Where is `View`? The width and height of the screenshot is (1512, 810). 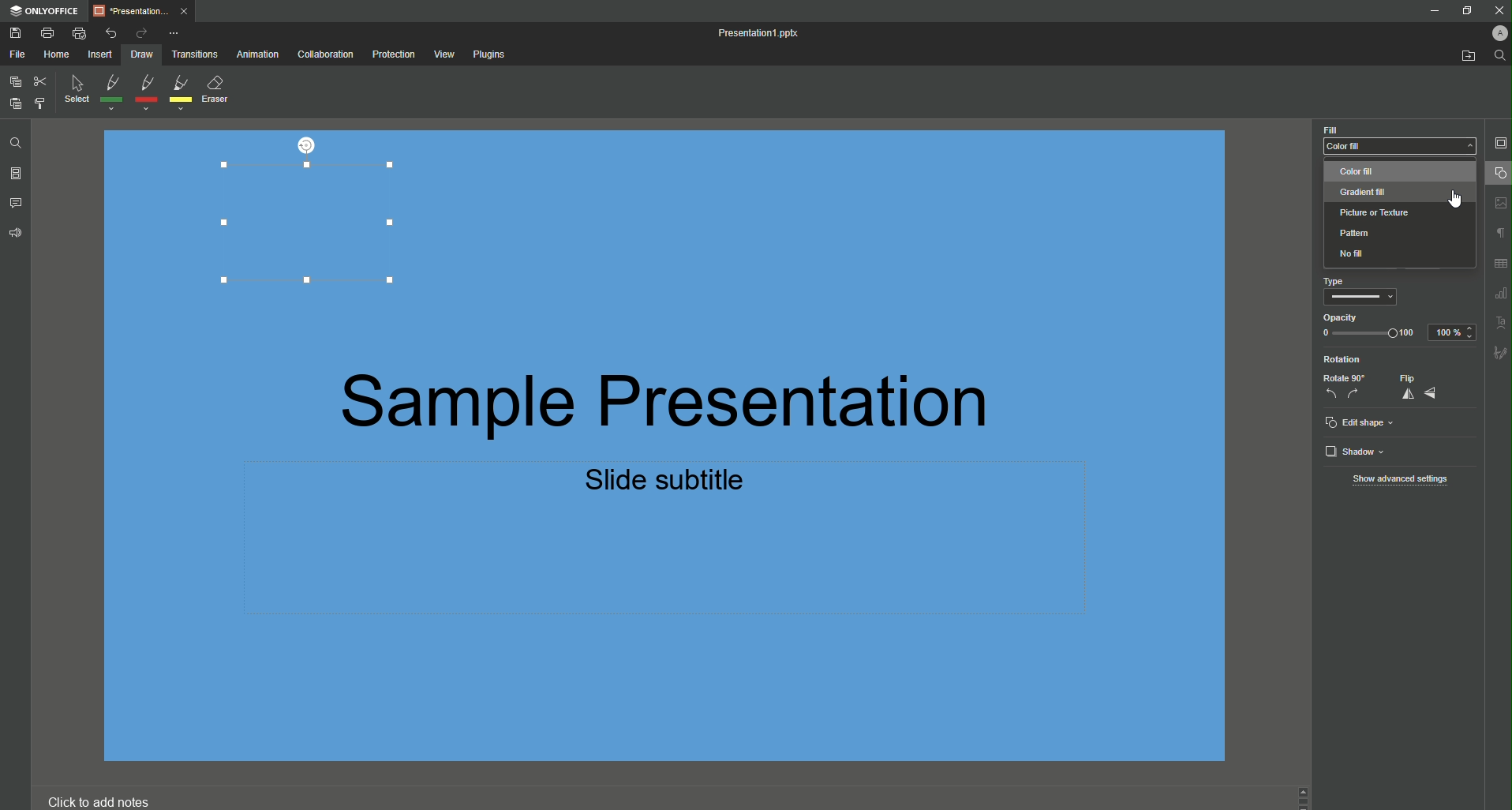 View is located at coordinates (443, 54).